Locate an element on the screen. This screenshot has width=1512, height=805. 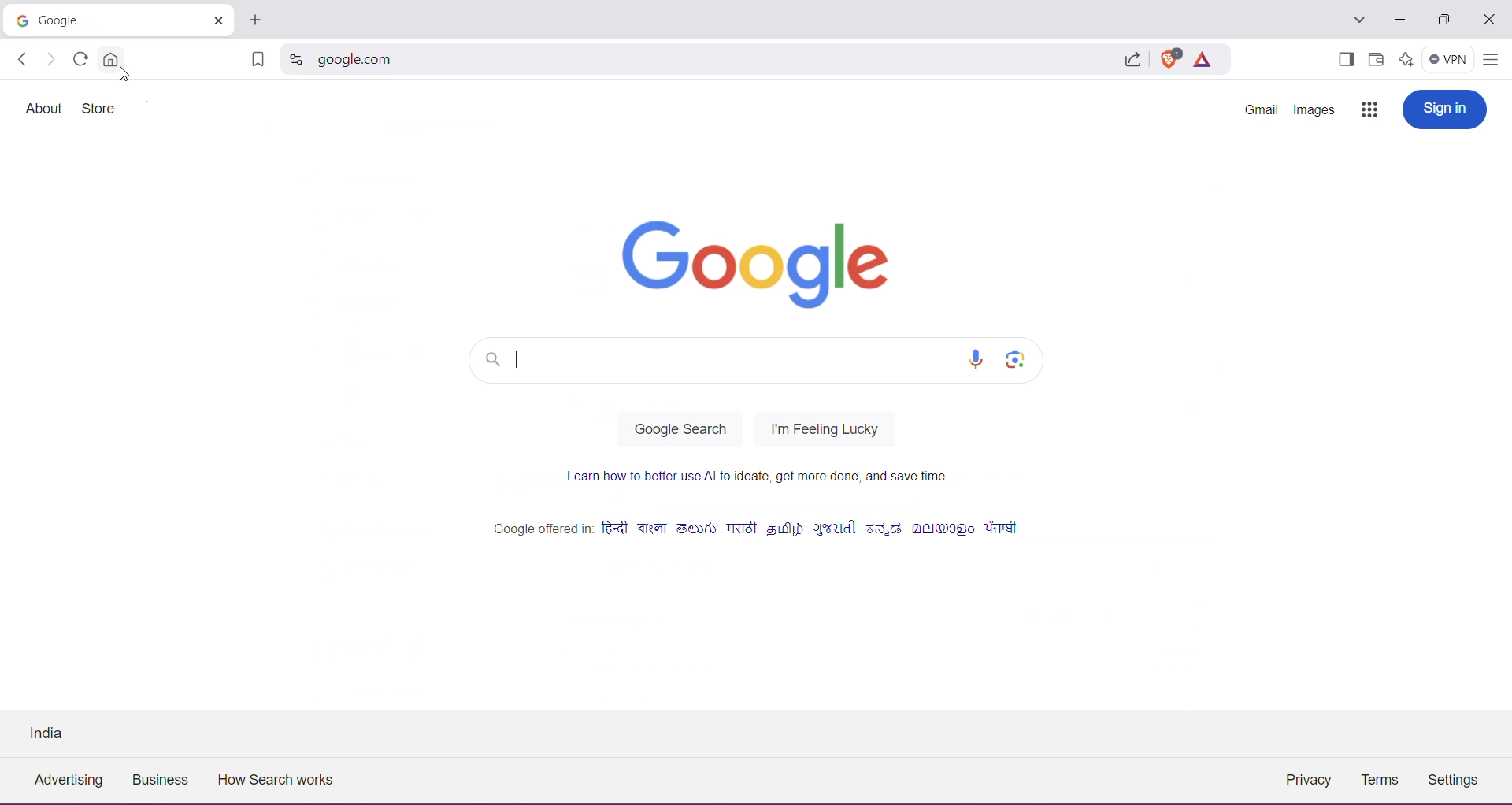
Business is located at coordinates (163, 781).